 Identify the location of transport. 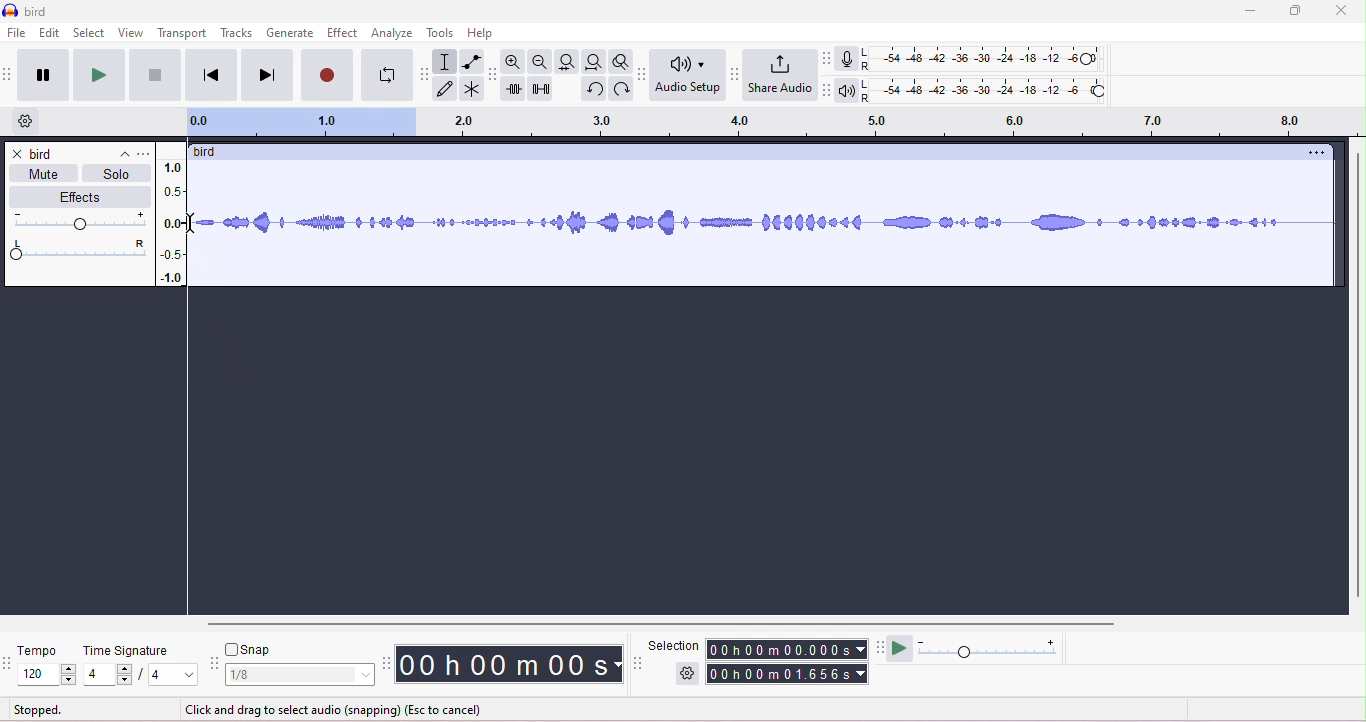
(183, 34).